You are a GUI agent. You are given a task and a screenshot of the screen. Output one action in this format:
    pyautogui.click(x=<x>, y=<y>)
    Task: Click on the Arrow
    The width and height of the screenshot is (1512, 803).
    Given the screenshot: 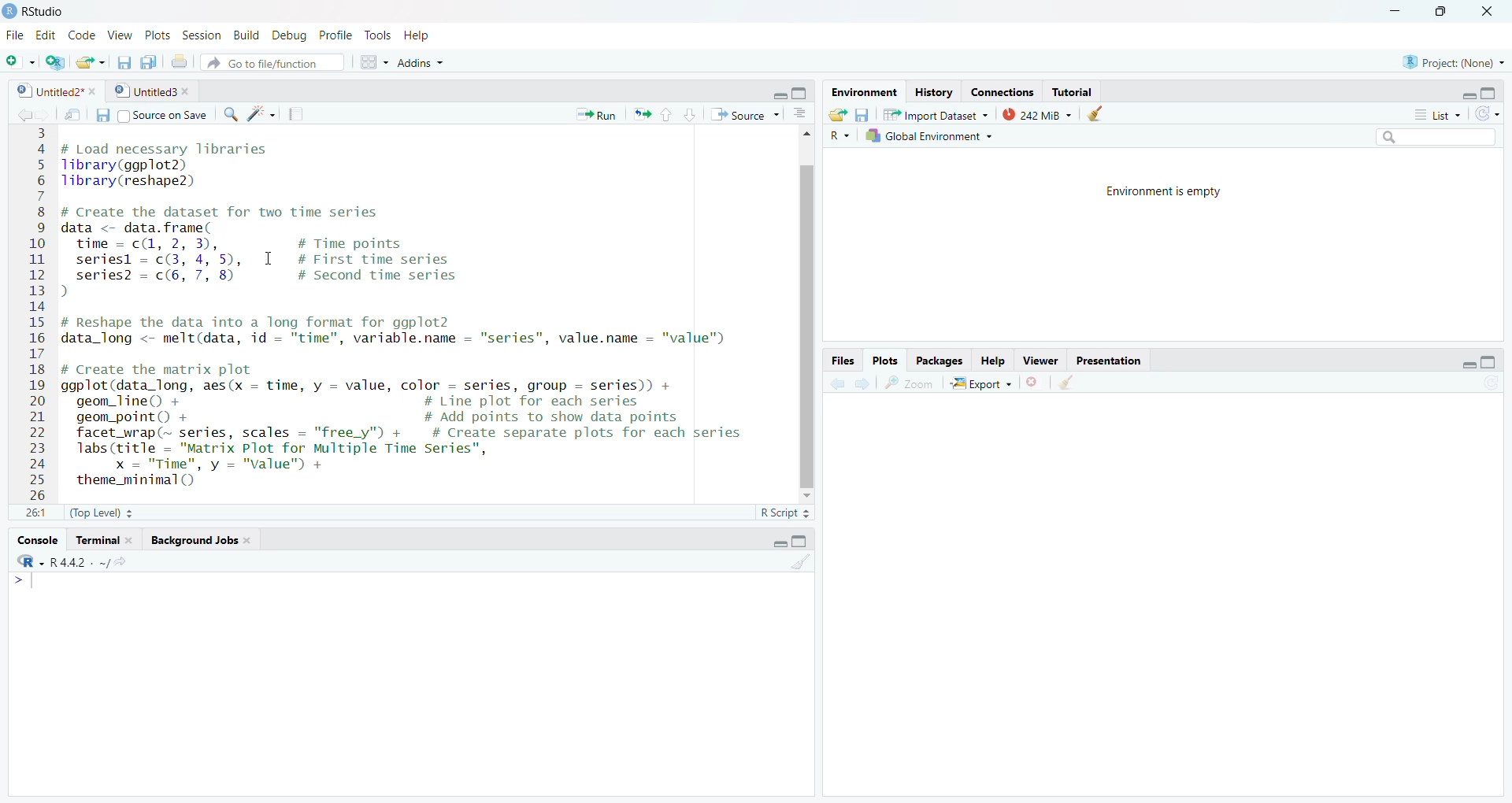 What is the action you would take?
    pyautogui.click(x=20, y=581)
    